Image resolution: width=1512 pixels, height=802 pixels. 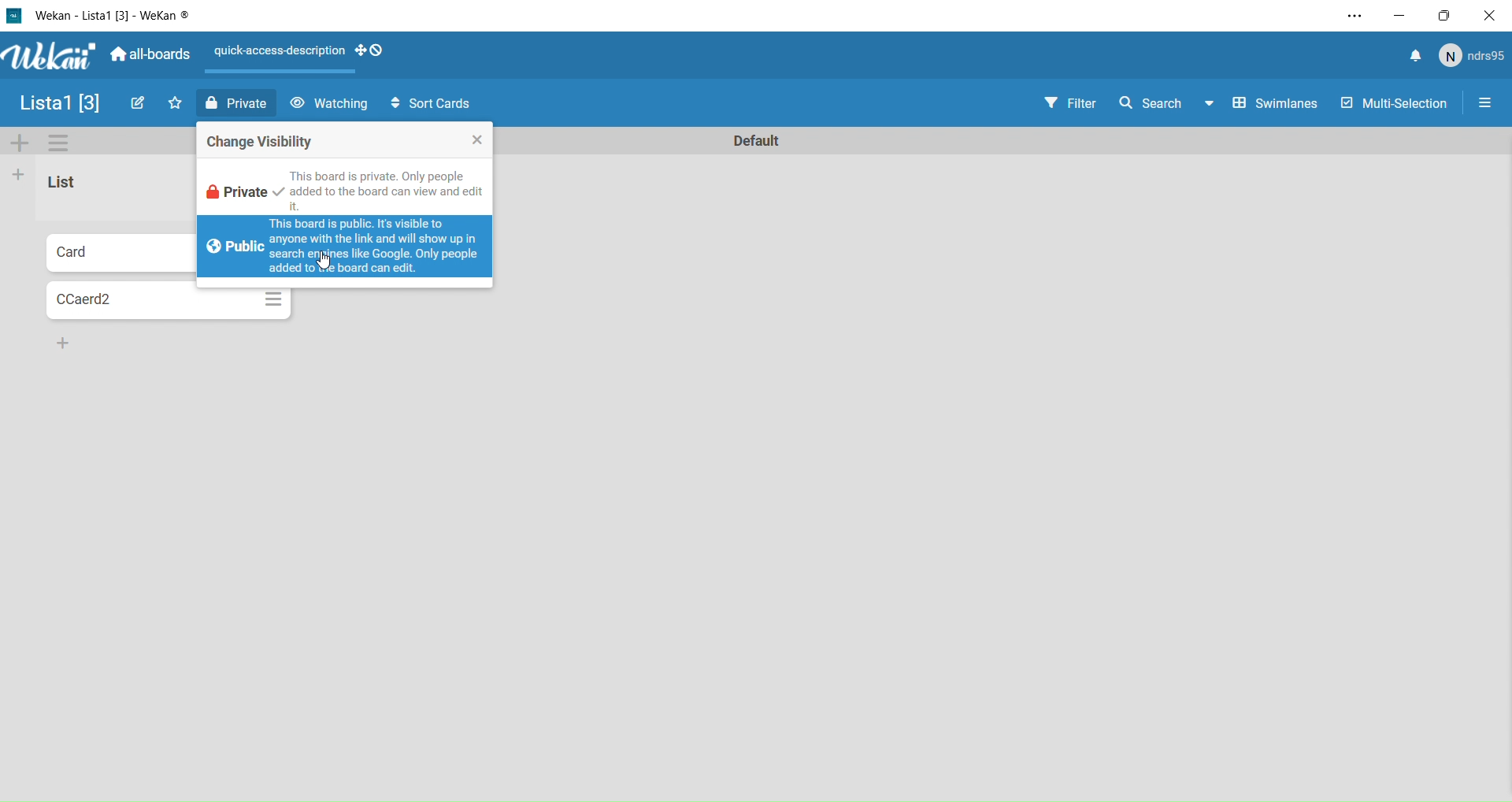 What do you see at coordinates (1469, 56) in the screenshot?
I see `User` at bounding box center [1469, 56].